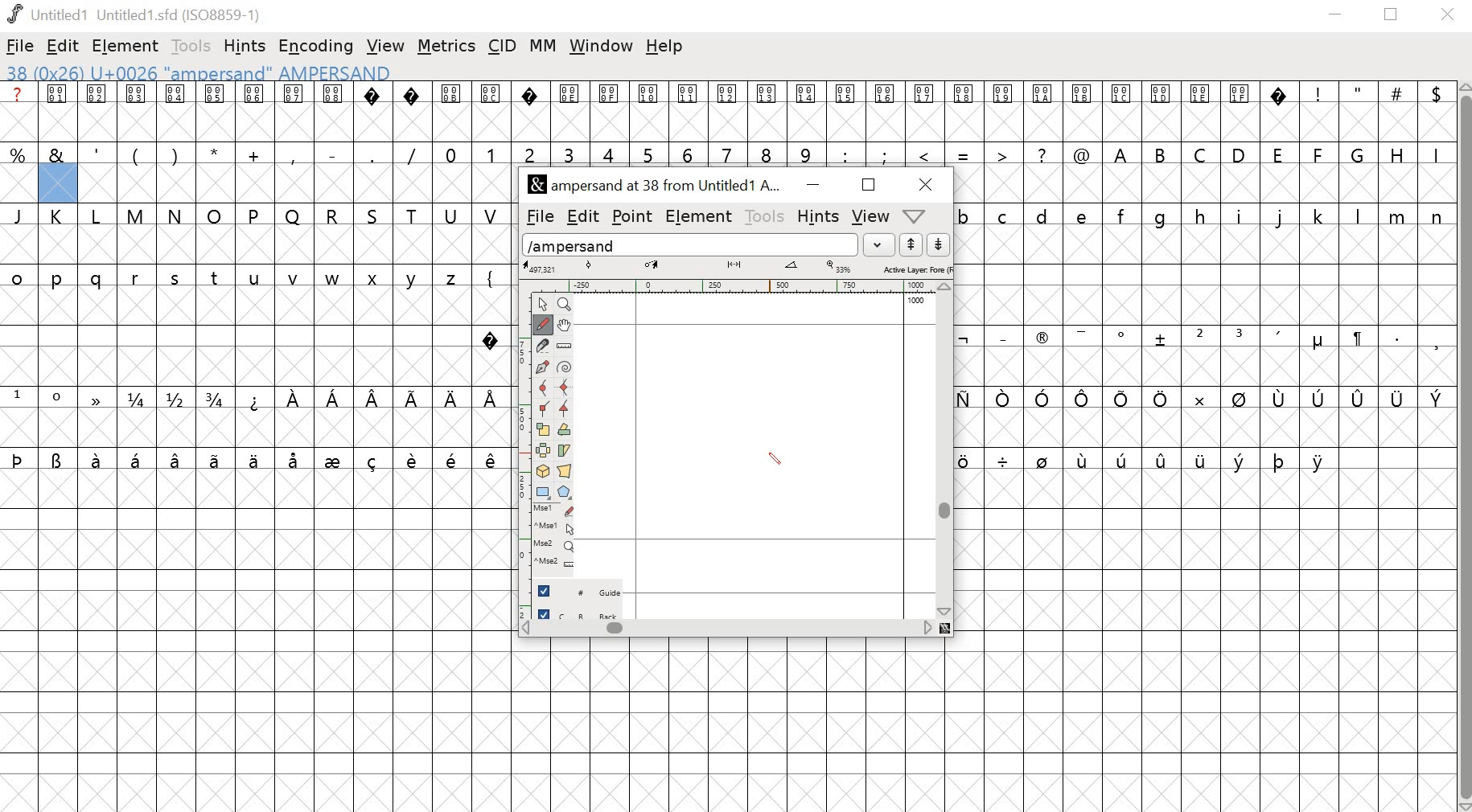  What do you see at coordinates (1122, 113) in the screenshot?
I see `001C` at bounding box center [1122, 113].